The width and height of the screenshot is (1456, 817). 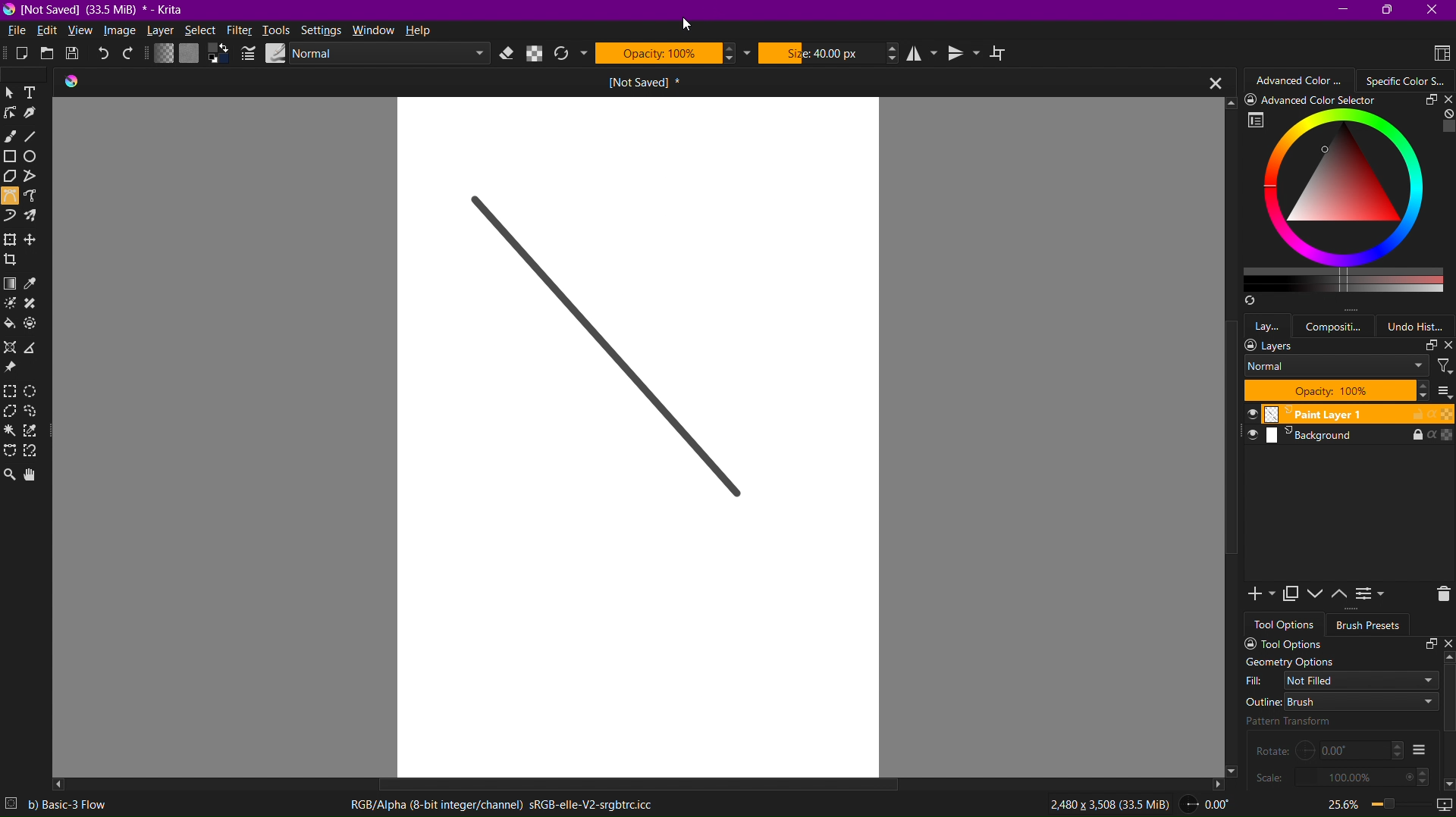 I want to click on Enclose and fill tool, so click(x=36, y=326).